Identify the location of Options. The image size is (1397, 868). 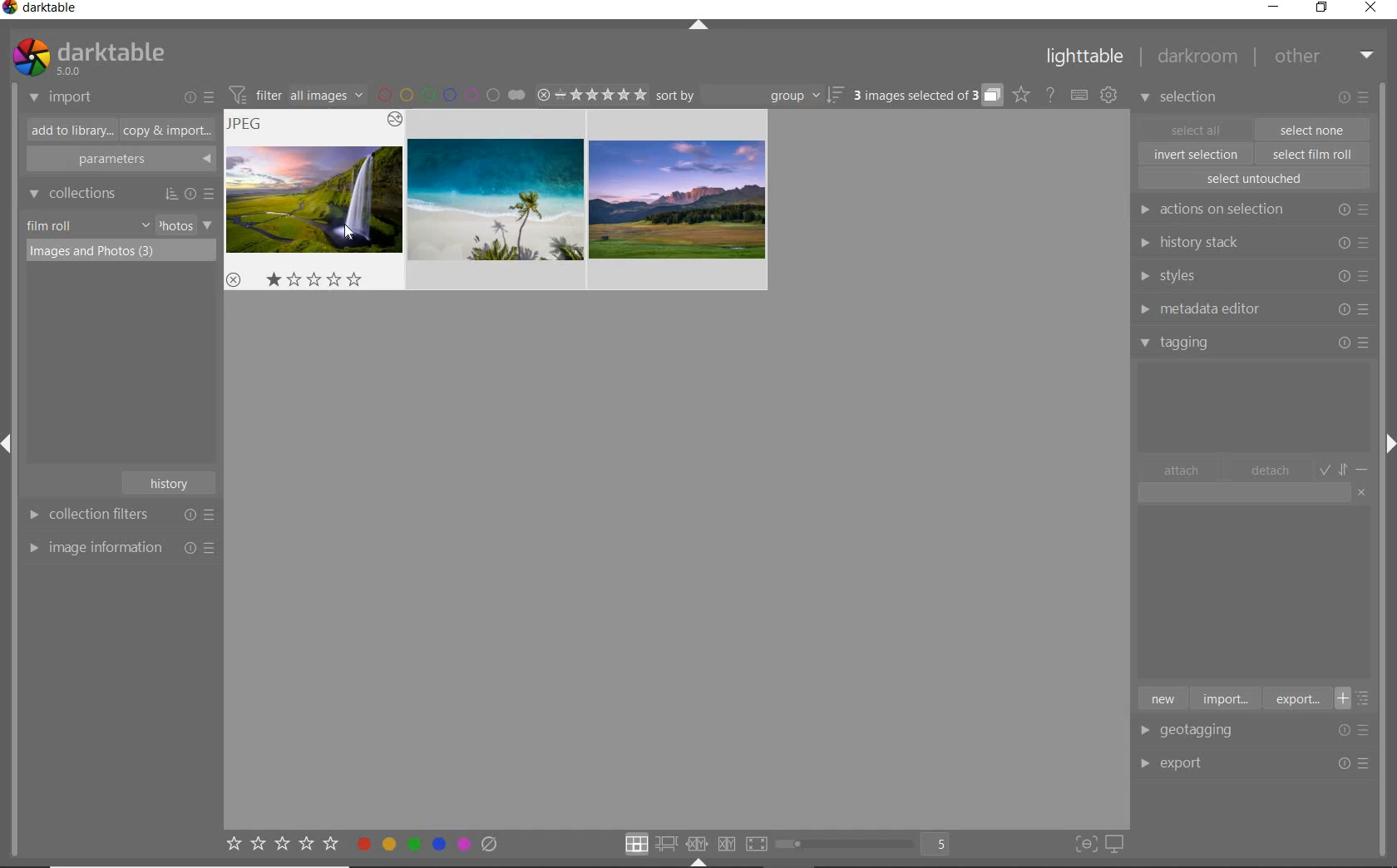
(1359, 730).